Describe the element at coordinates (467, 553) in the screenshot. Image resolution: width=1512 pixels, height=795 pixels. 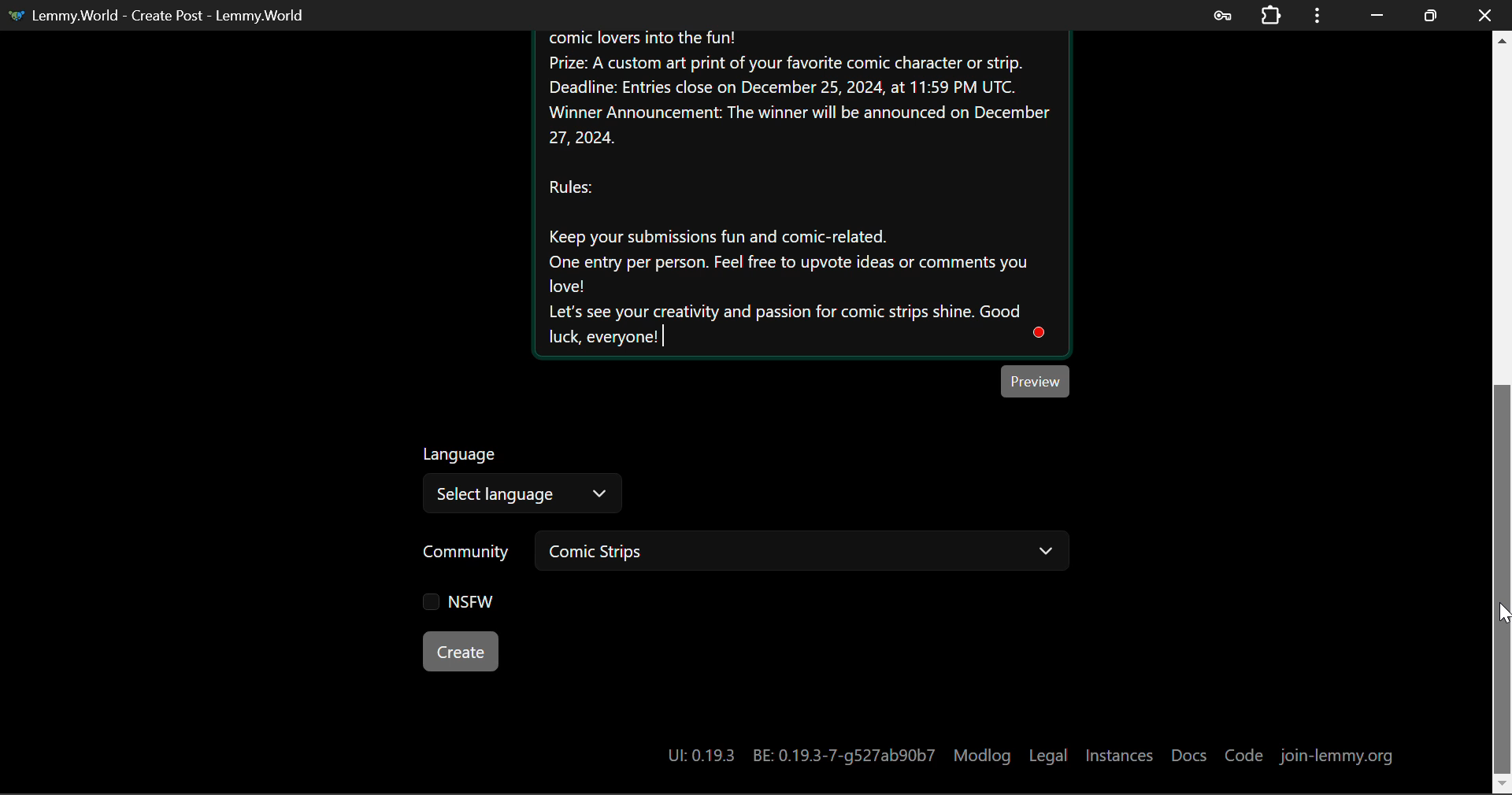
I see `Community` at that location.